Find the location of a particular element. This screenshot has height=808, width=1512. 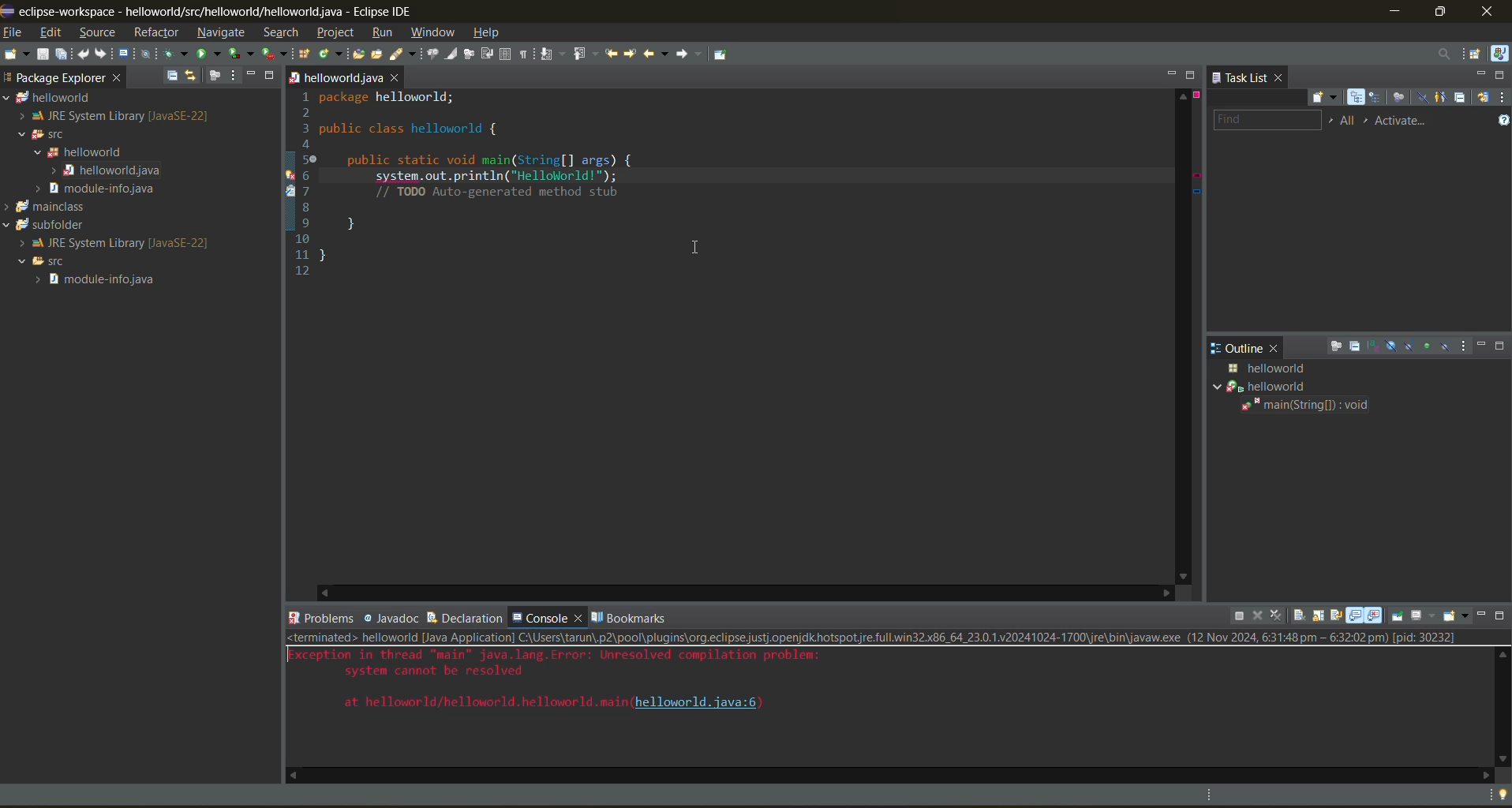

error info is located at coordinates (1195, 151).